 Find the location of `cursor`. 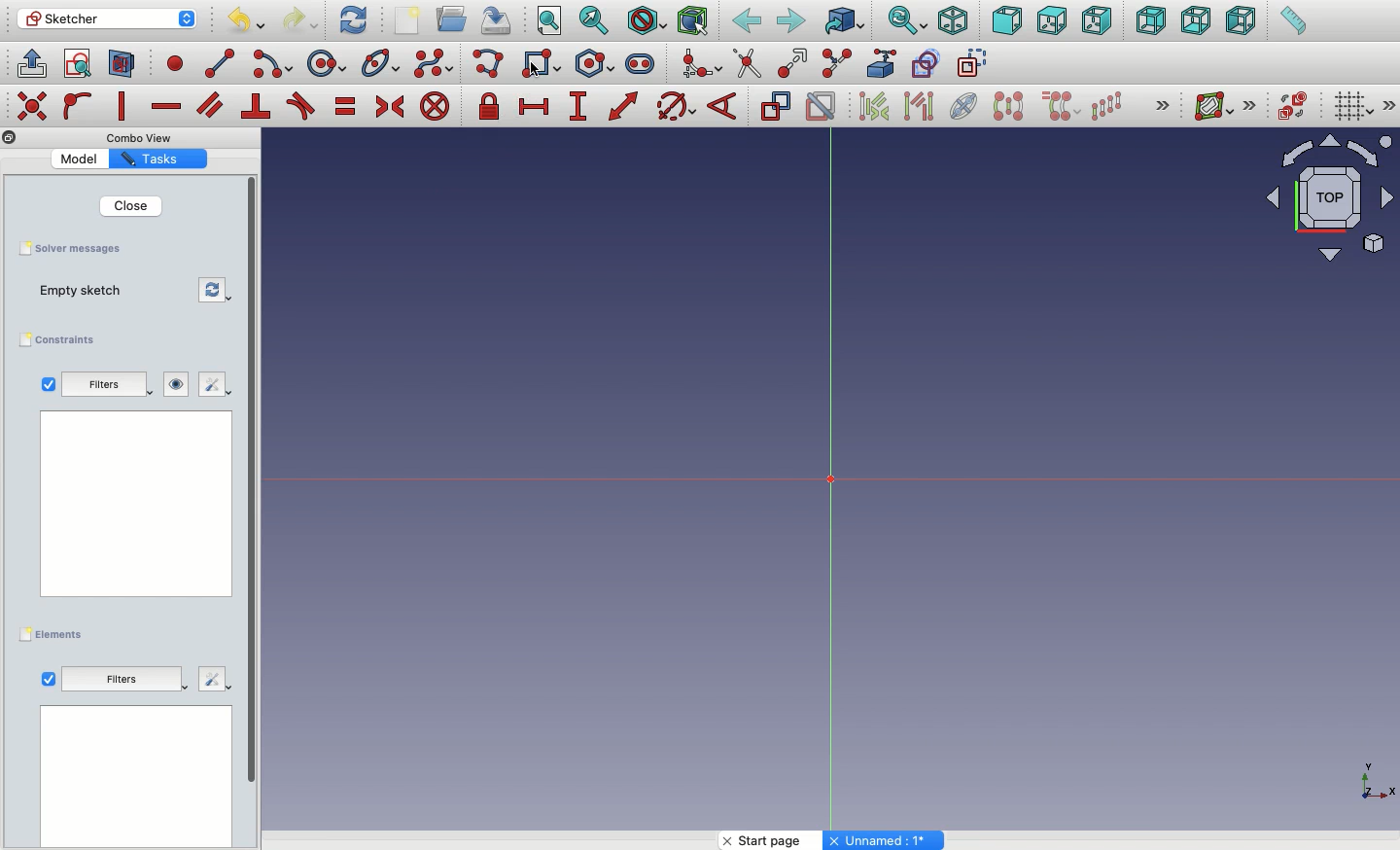

cursor is located at coordinates (532, 69).